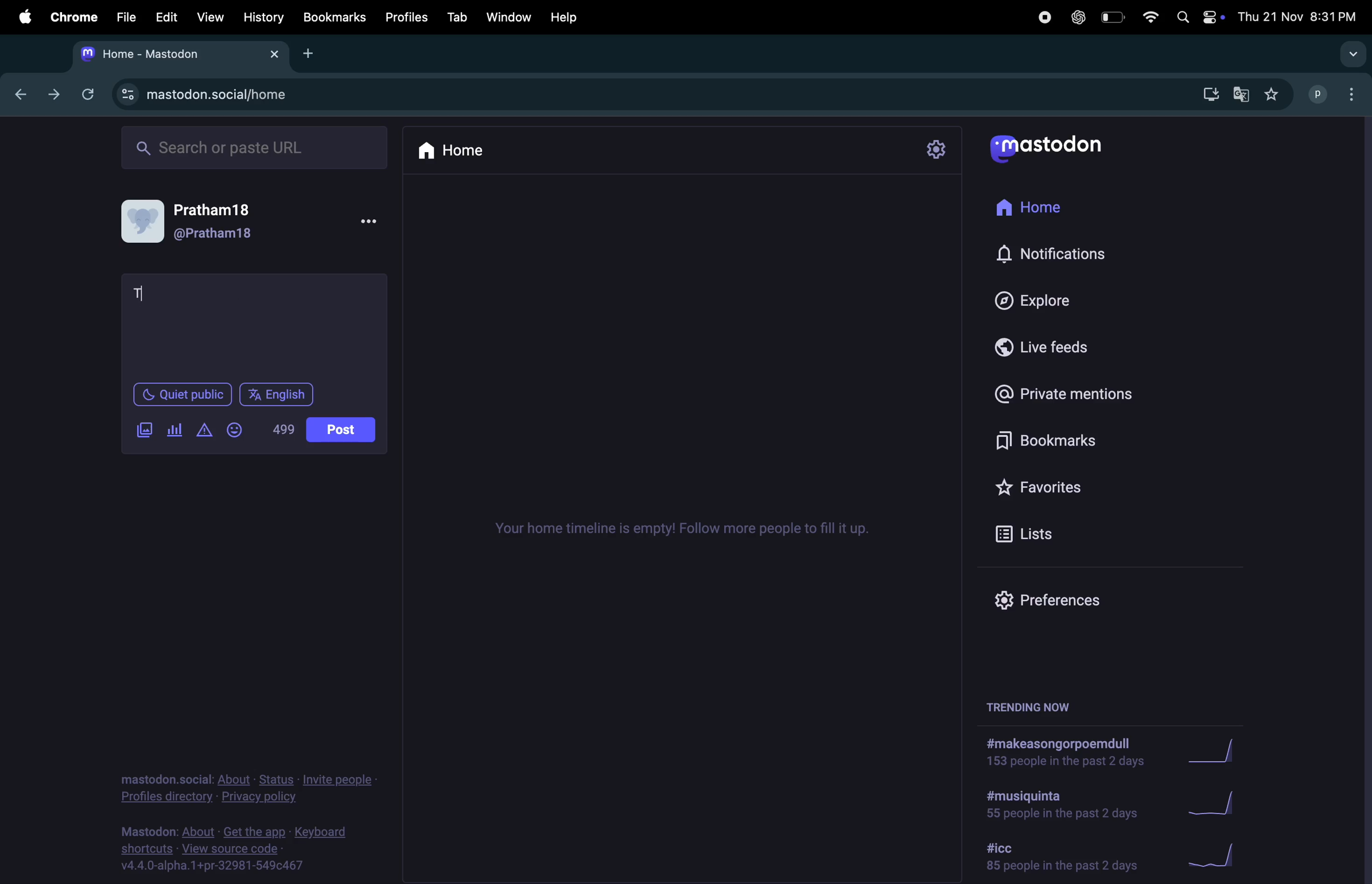 This screenshot has width=1372, height=884. What do you see at coordinates (145, 55) in the screenshot?
I see `mastadon tab` at bounding box center [145, 55].